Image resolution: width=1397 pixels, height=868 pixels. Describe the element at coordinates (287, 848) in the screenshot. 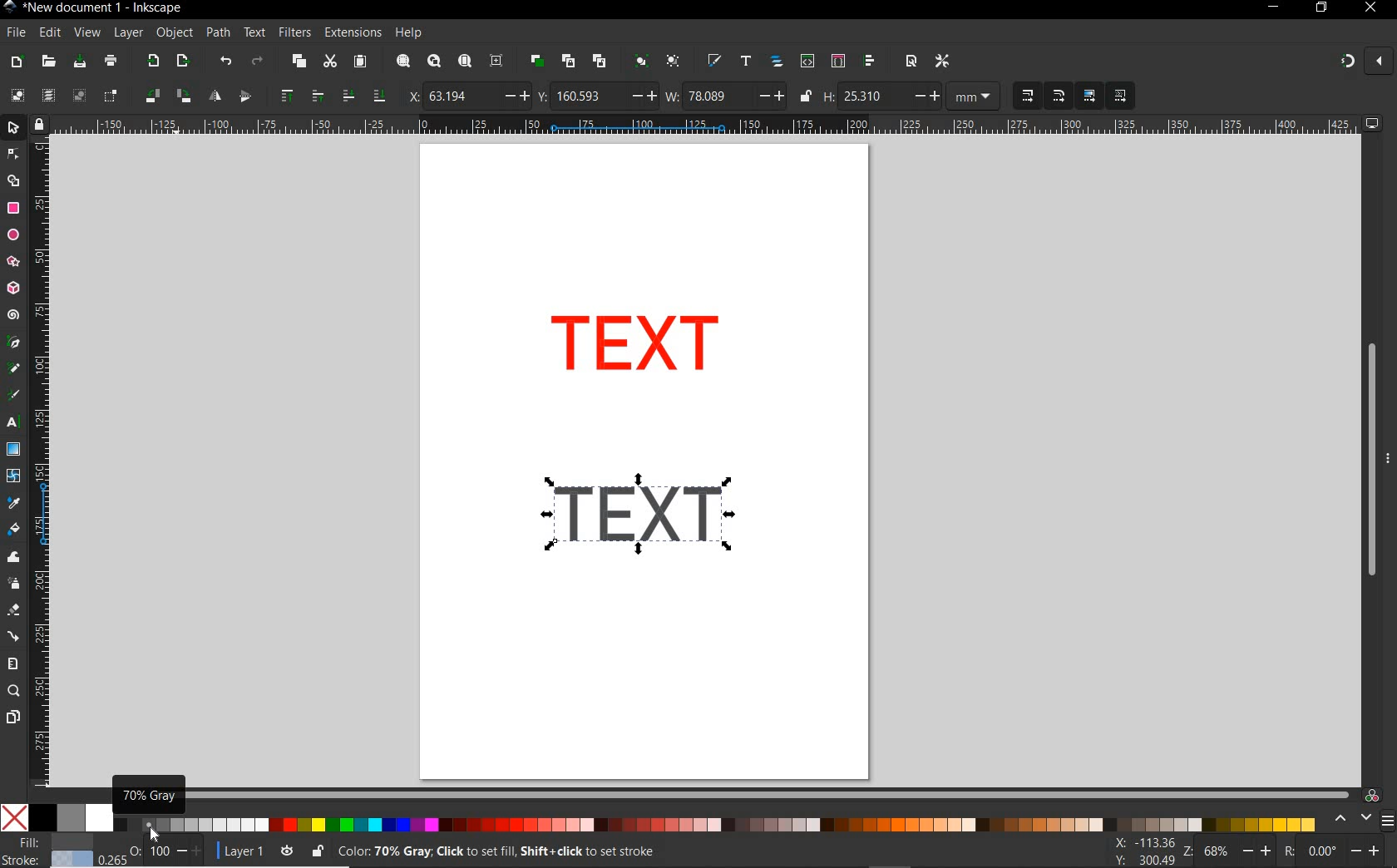

I see `toggle current layer visibility` at that location.